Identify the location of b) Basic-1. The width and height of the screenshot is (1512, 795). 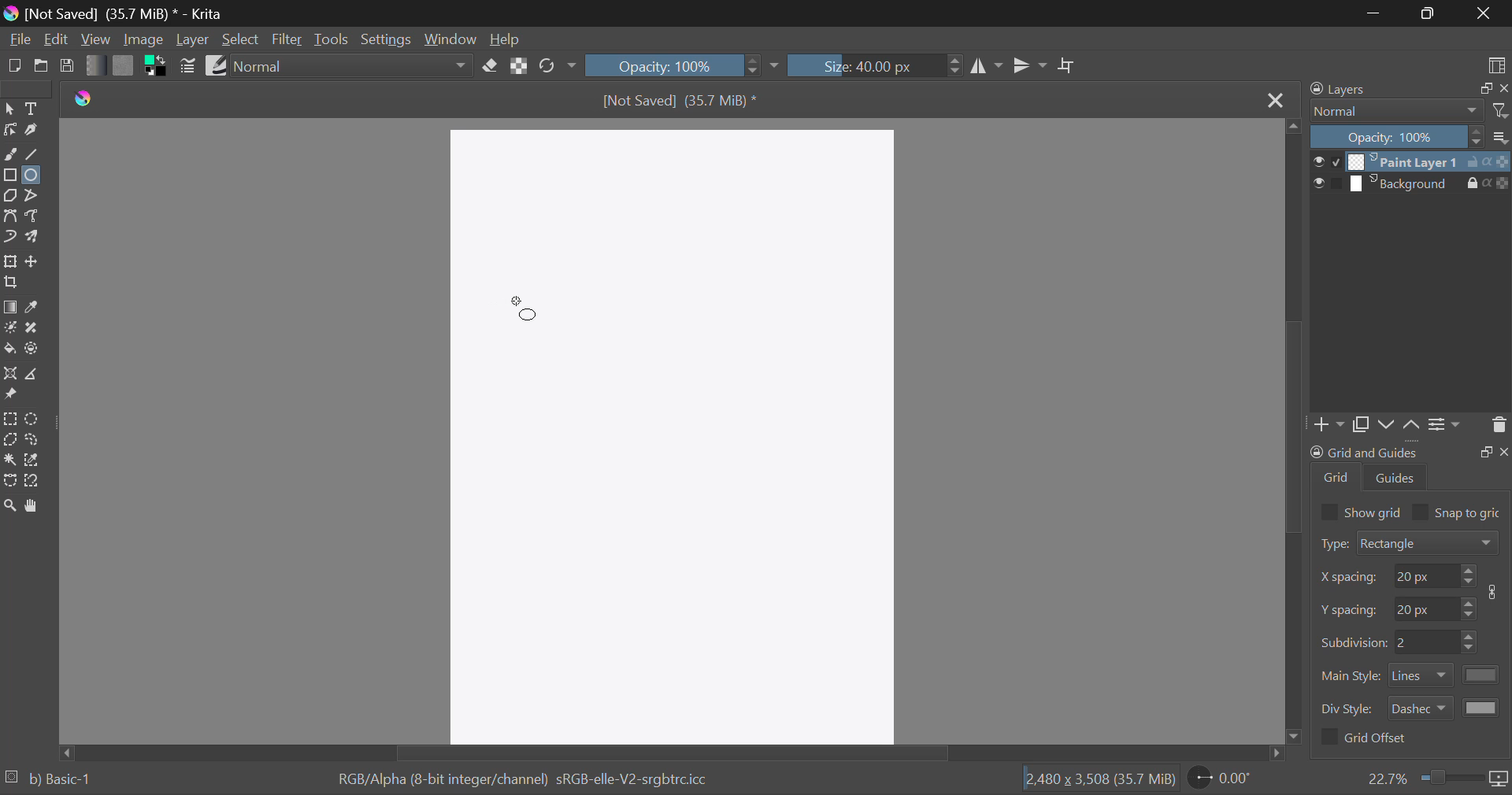
(65, 778).